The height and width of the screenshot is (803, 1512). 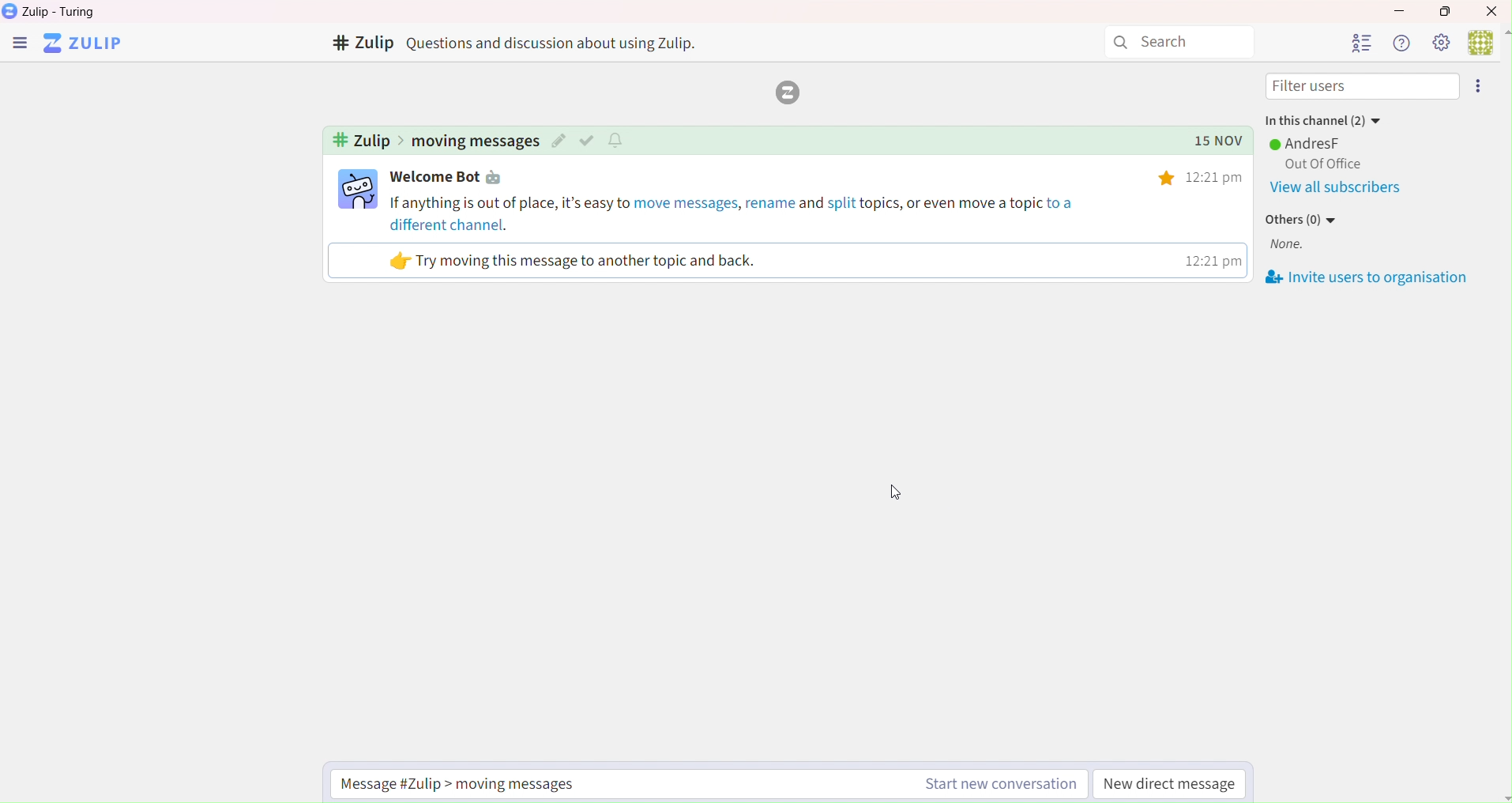 I want to click on Invite users to organization, so click(x=1370, y=277).